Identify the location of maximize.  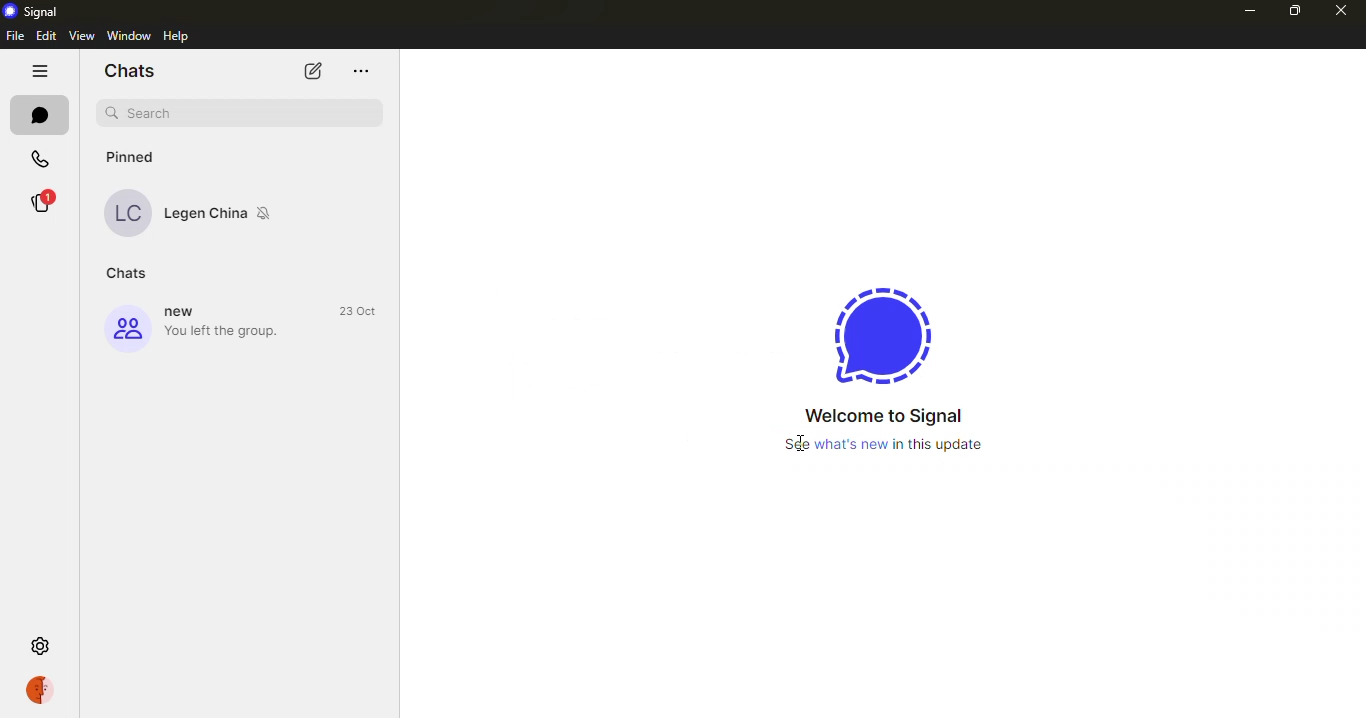
(1293, 10).